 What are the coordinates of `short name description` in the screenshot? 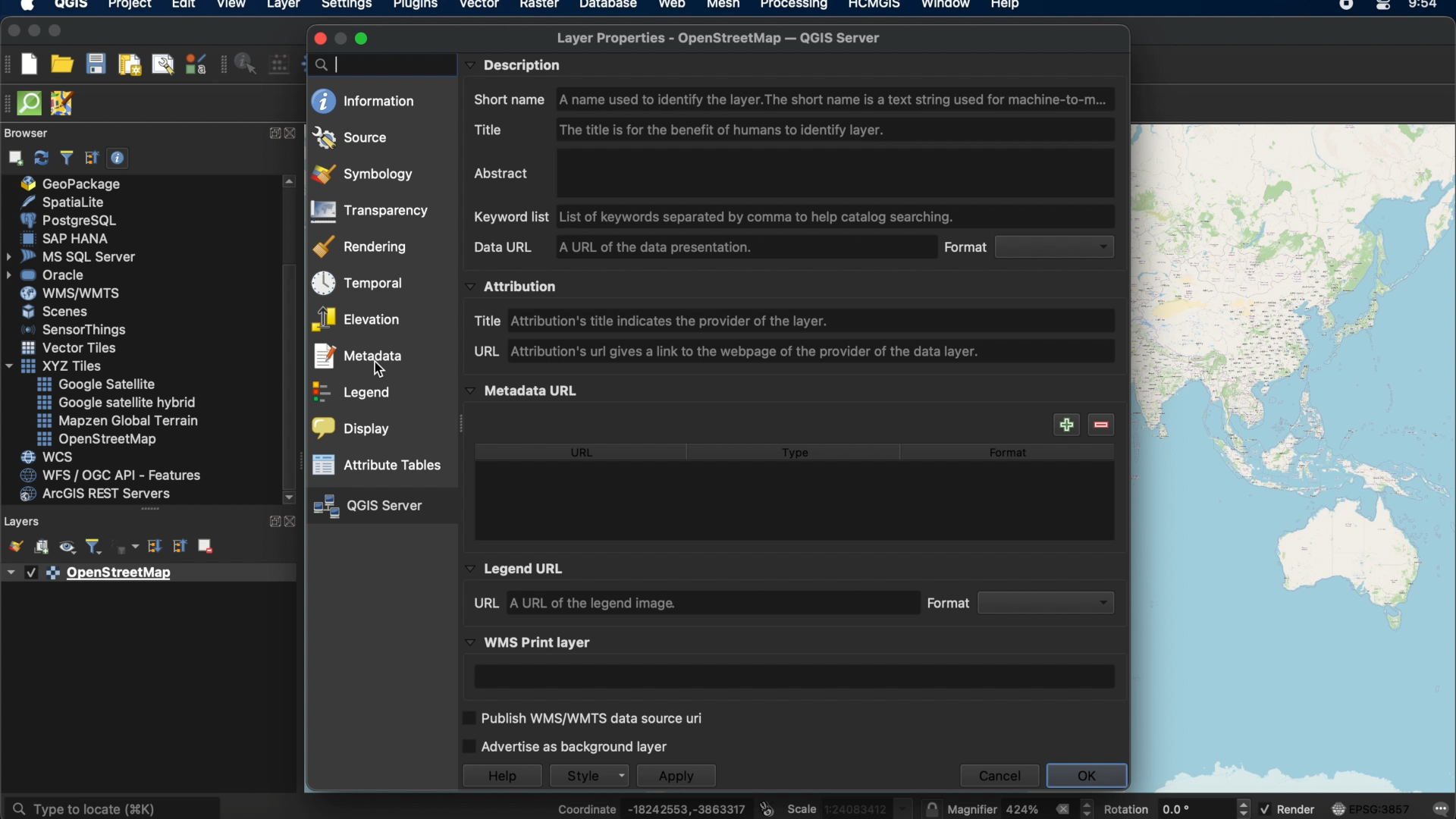 It's located at (793, 99).